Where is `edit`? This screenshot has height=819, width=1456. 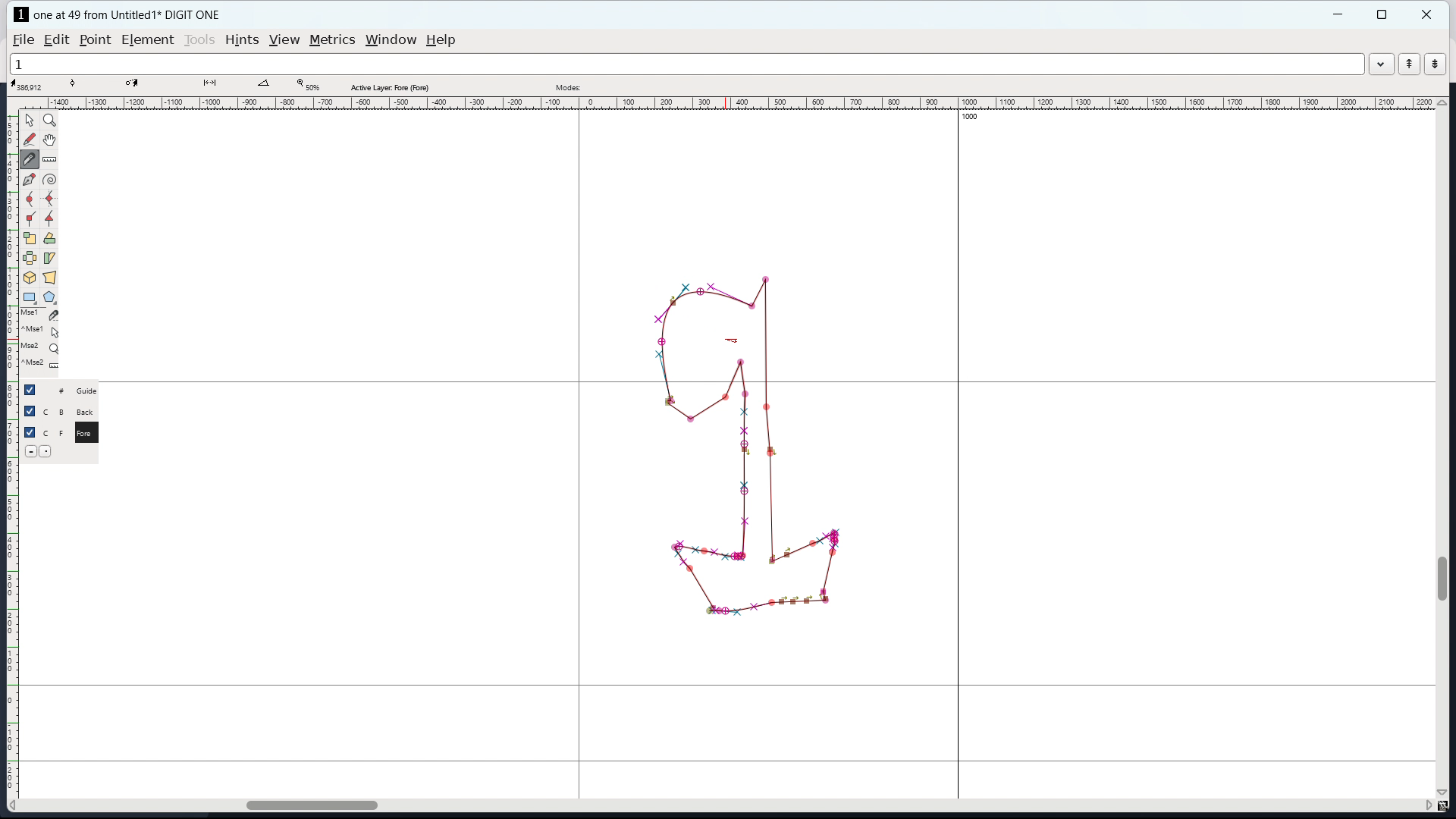
edit is located at coordinates (56, 40).